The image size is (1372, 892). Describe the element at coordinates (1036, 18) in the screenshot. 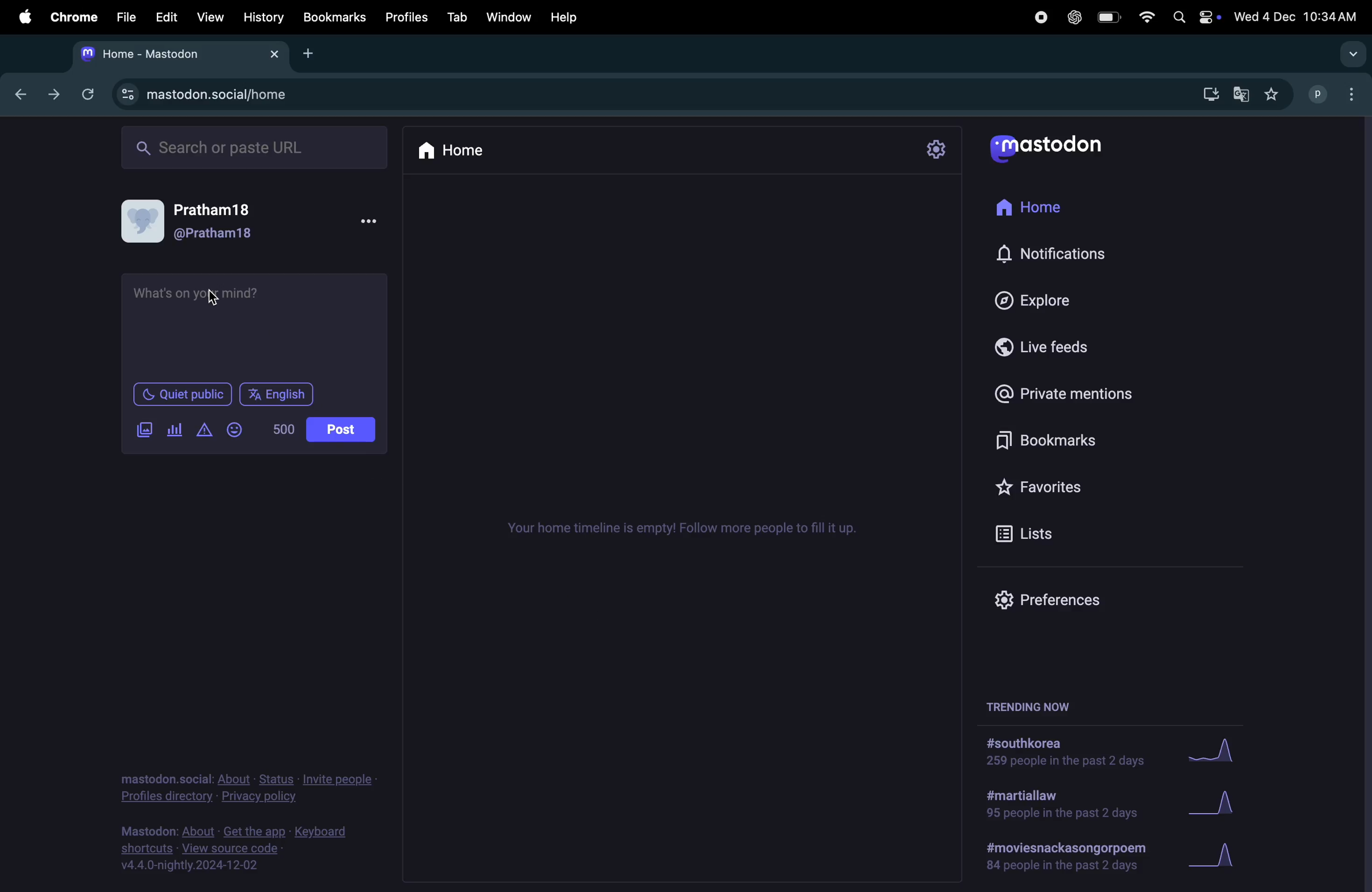

I see `record` at that location.